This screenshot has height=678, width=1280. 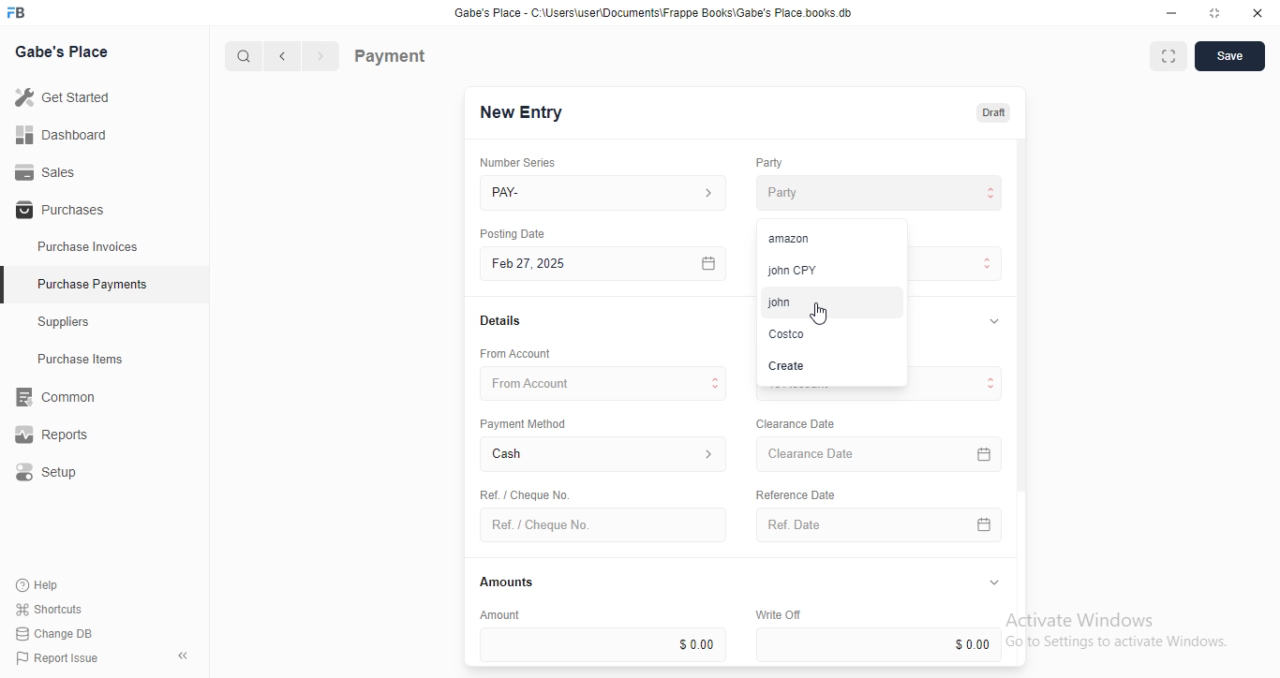 What do you see at coordinates (52, 658) in the screenshot?
I see `Report Issue` at bounding box center [52, 658].